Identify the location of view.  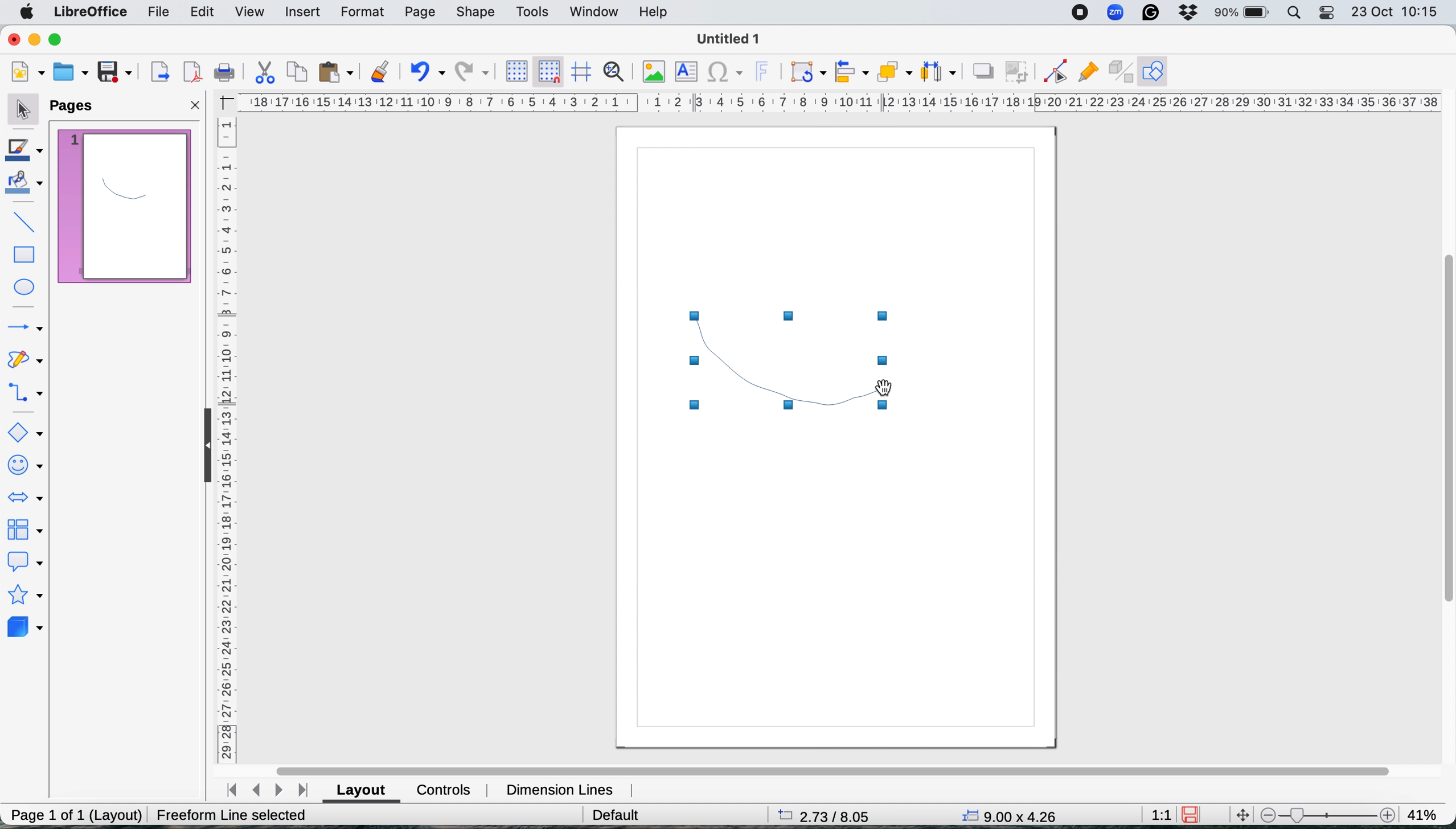
(251, 11).